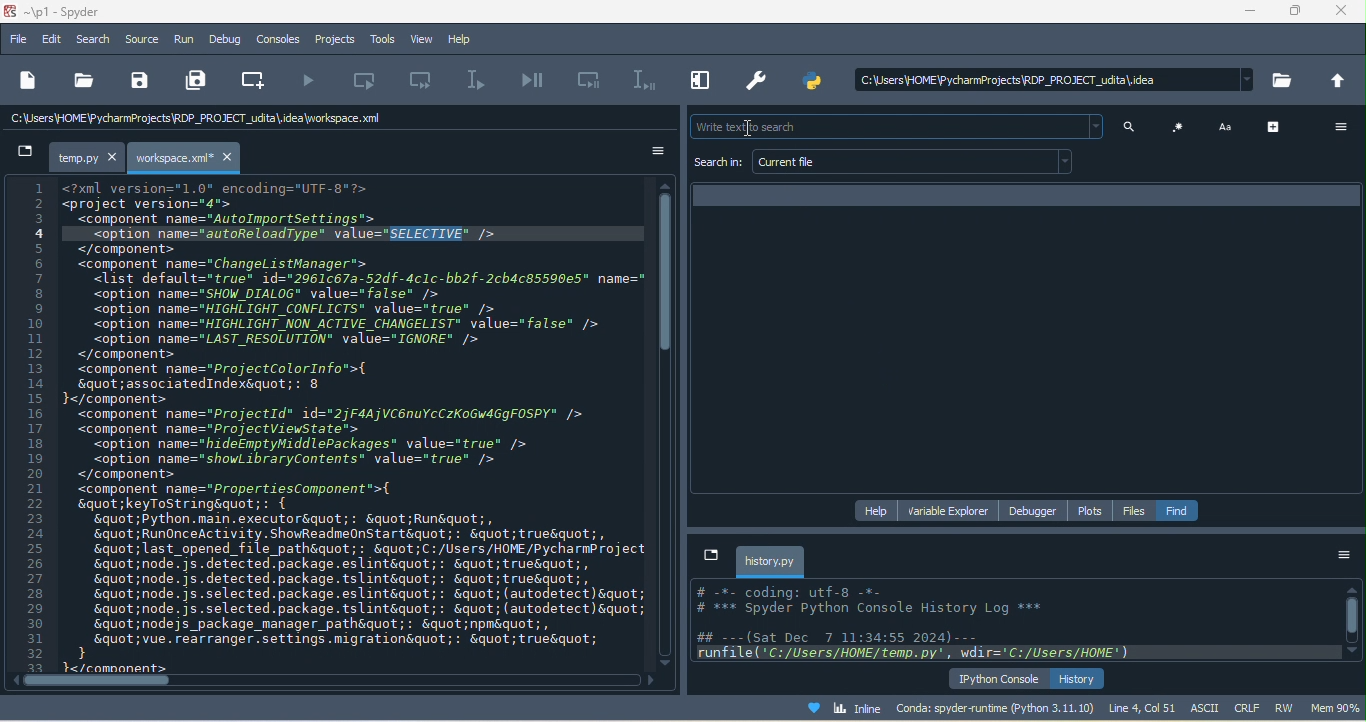 Image resolution: width=1366 pixels, height=722 pixels. What do you see at coordinates (199, 81) in the screenshot?
I see `save all` at bounding box center [199, 81].